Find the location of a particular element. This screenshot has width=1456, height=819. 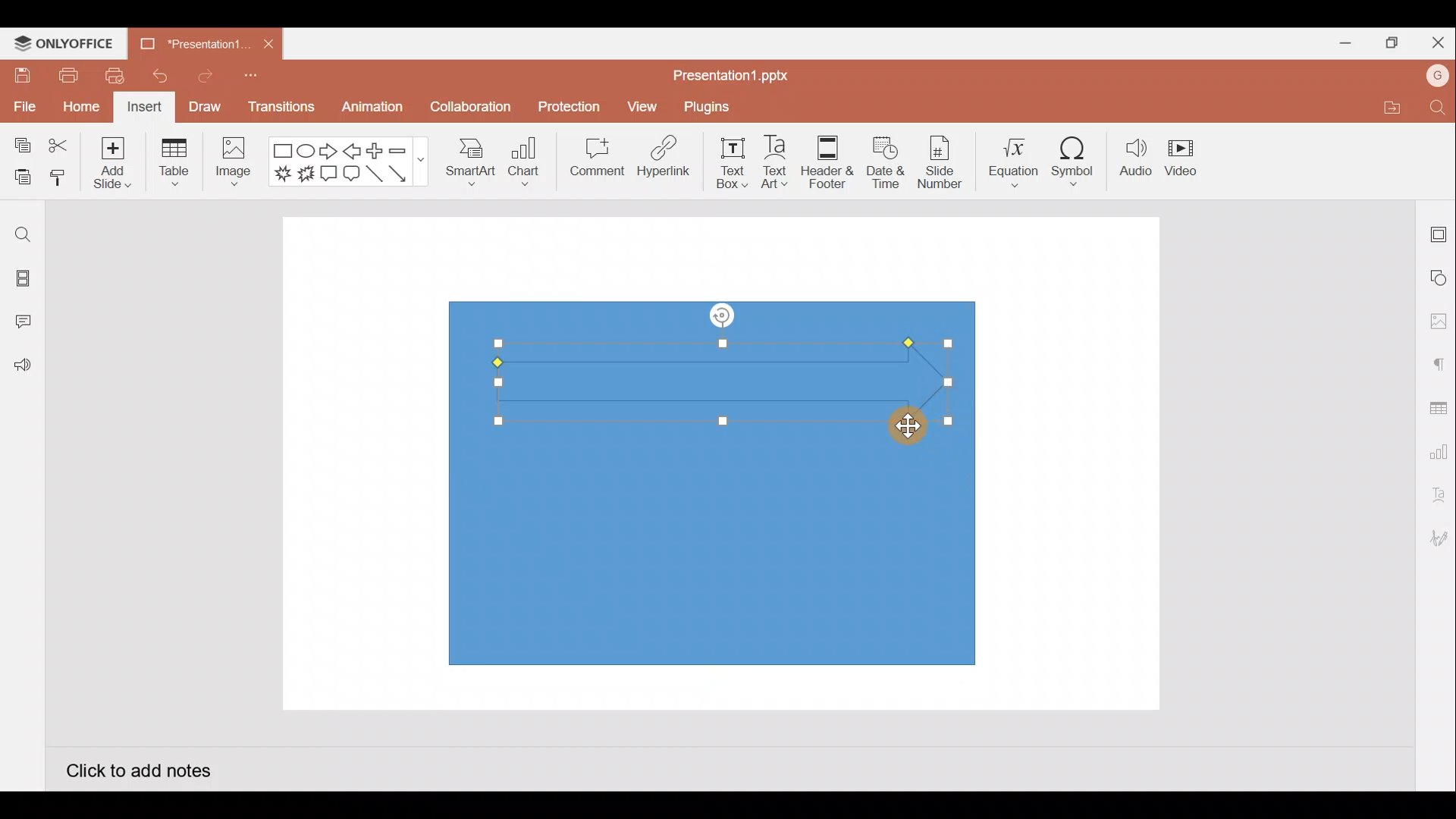

Save is located at coordinates (20, 74).